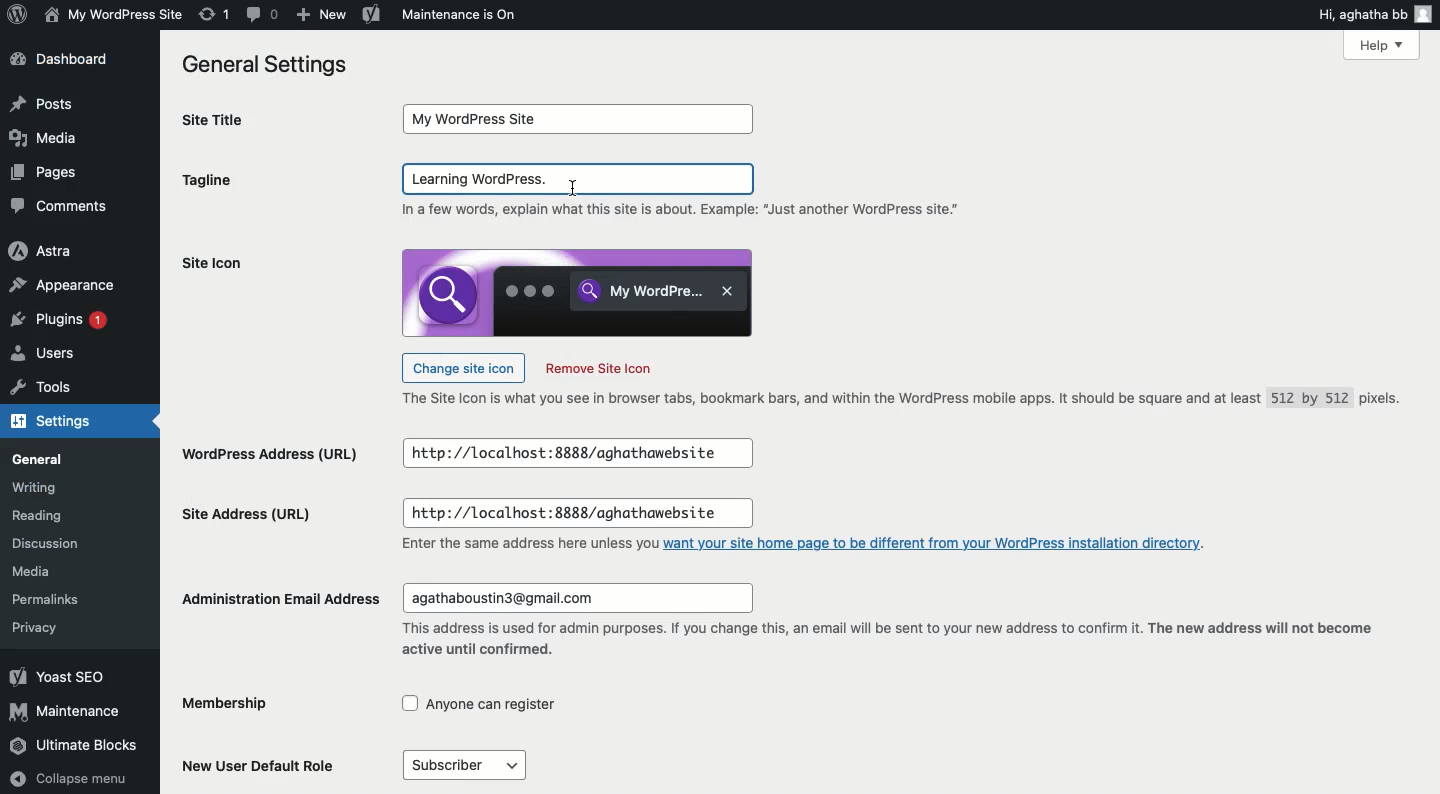 The height and width of the screenshot is (794, 1440). What do you see at coordinates (37, 572) in the screenshot?
I see `Media` at bounding box center [37, 572].